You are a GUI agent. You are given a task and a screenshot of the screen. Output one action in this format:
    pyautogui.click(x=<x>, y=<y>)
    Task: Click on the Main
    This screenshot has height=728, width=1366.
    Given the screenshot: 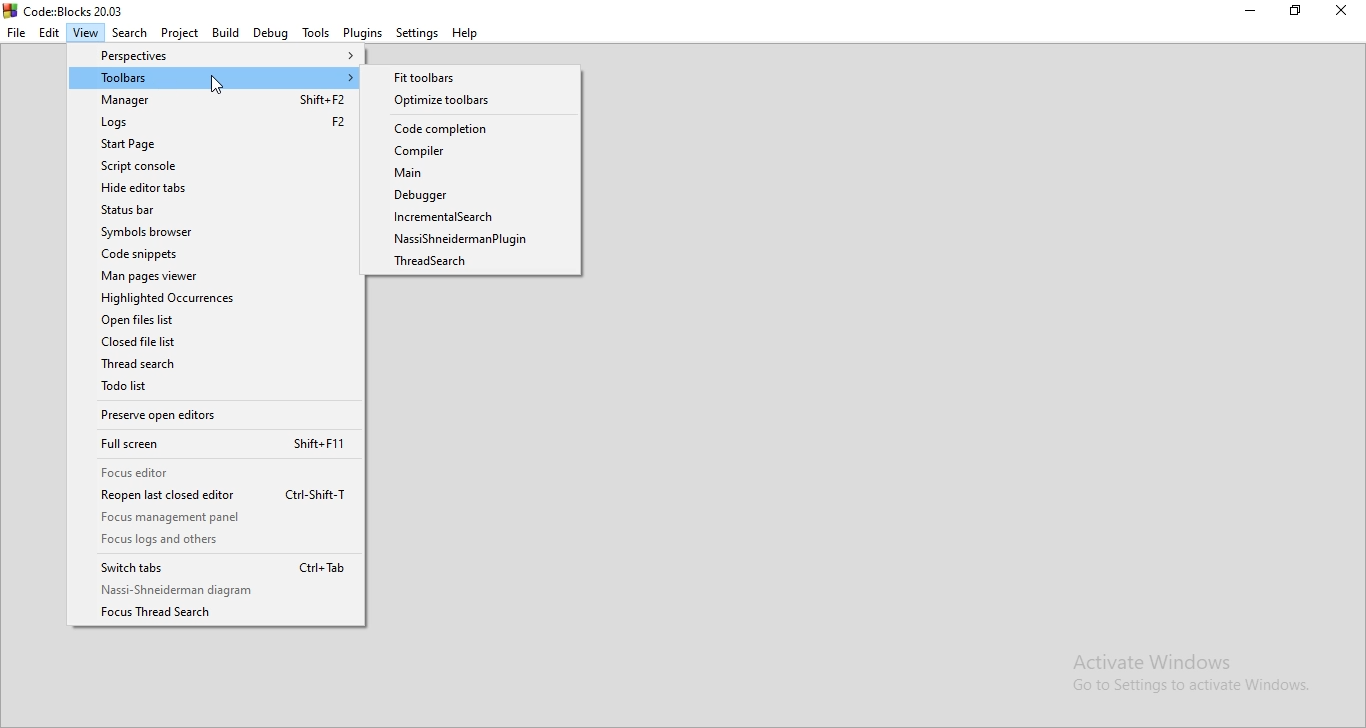 What is the action you would take?
    pyautogui.click(x=470, y=172)
    